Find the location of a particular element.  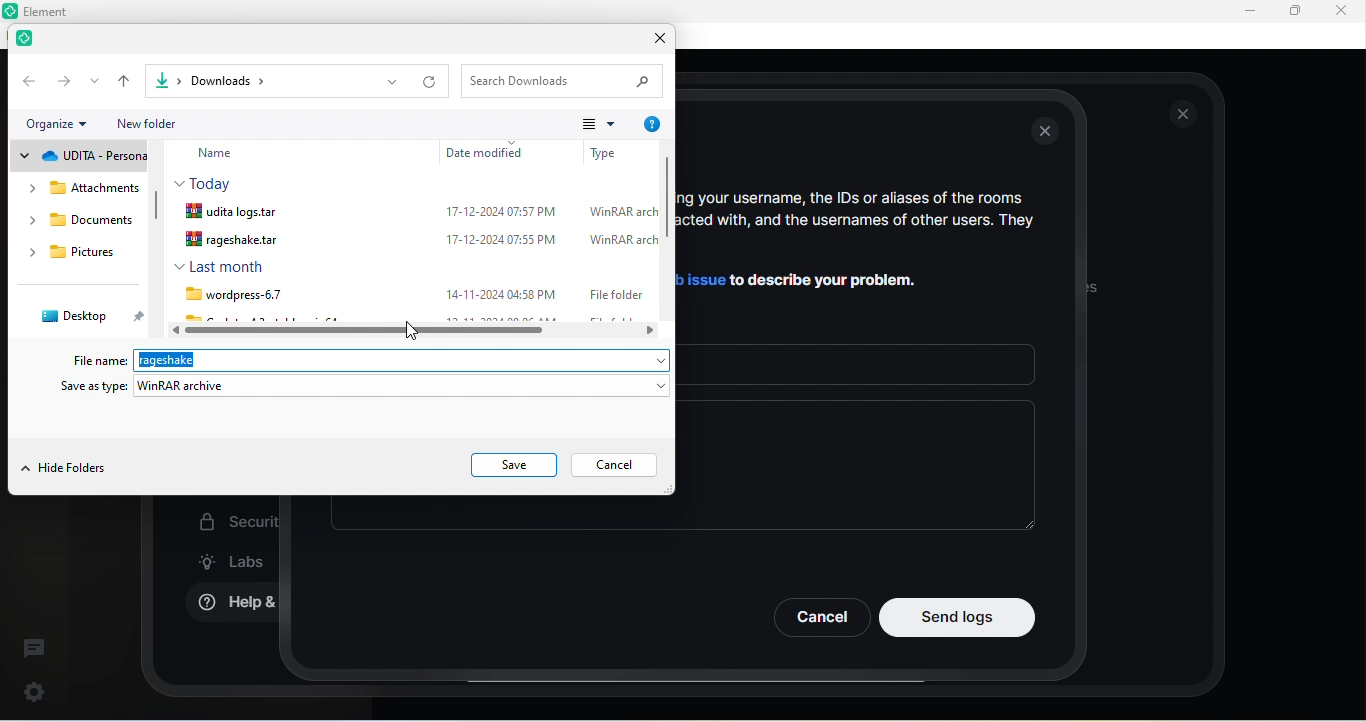

back is located at coordinates (27, 80).